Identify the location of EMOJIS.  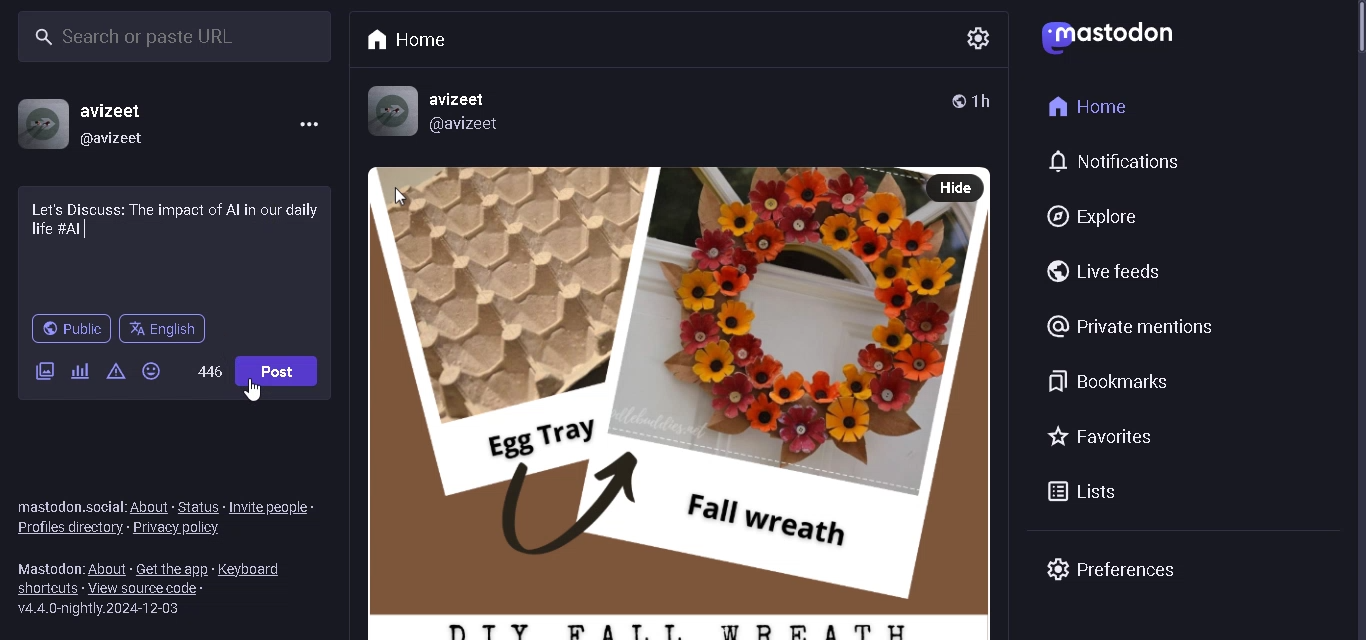
(152, 370).